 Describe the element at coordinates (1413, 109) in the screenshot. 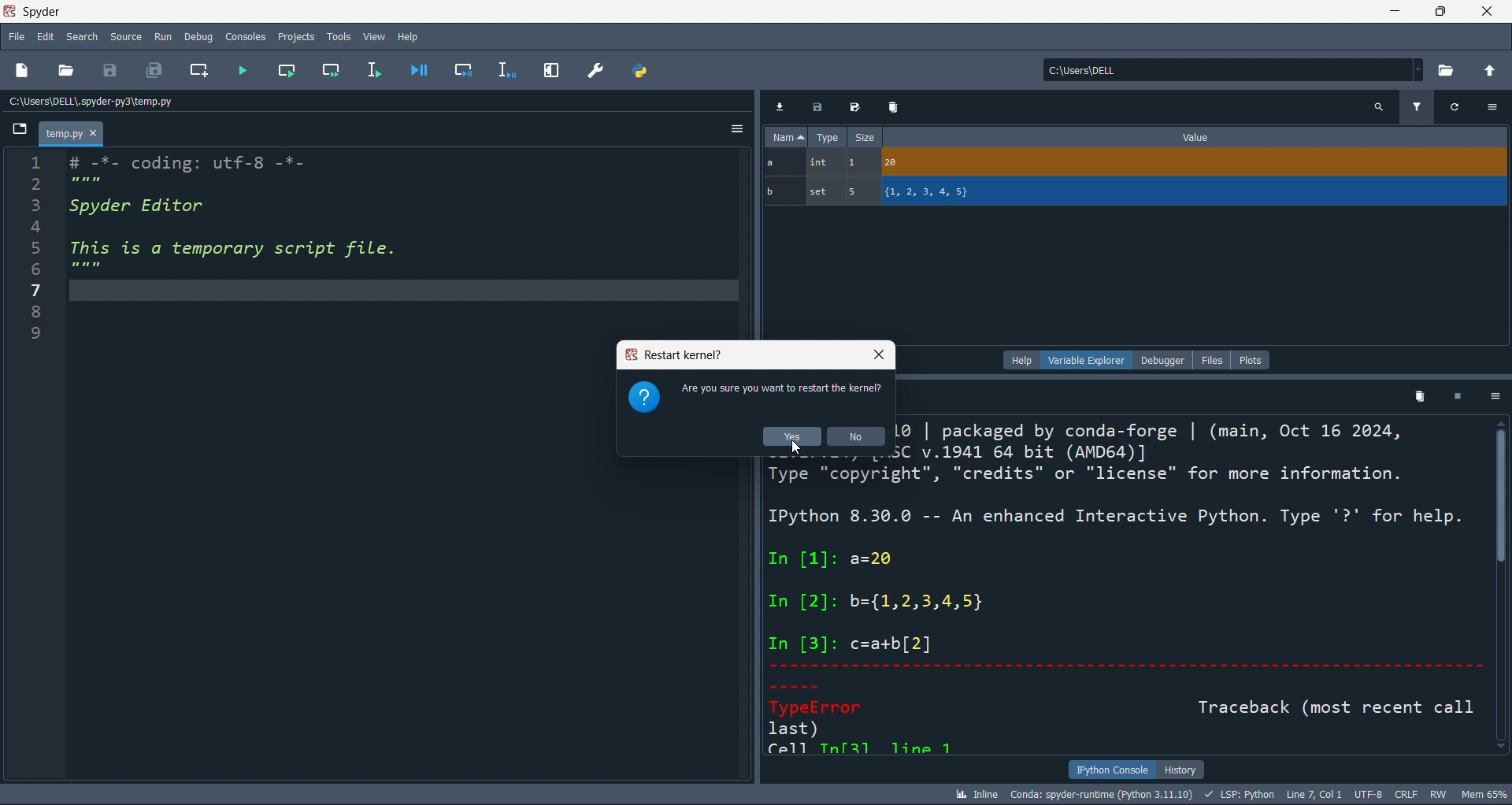

I see `filter` at that location.